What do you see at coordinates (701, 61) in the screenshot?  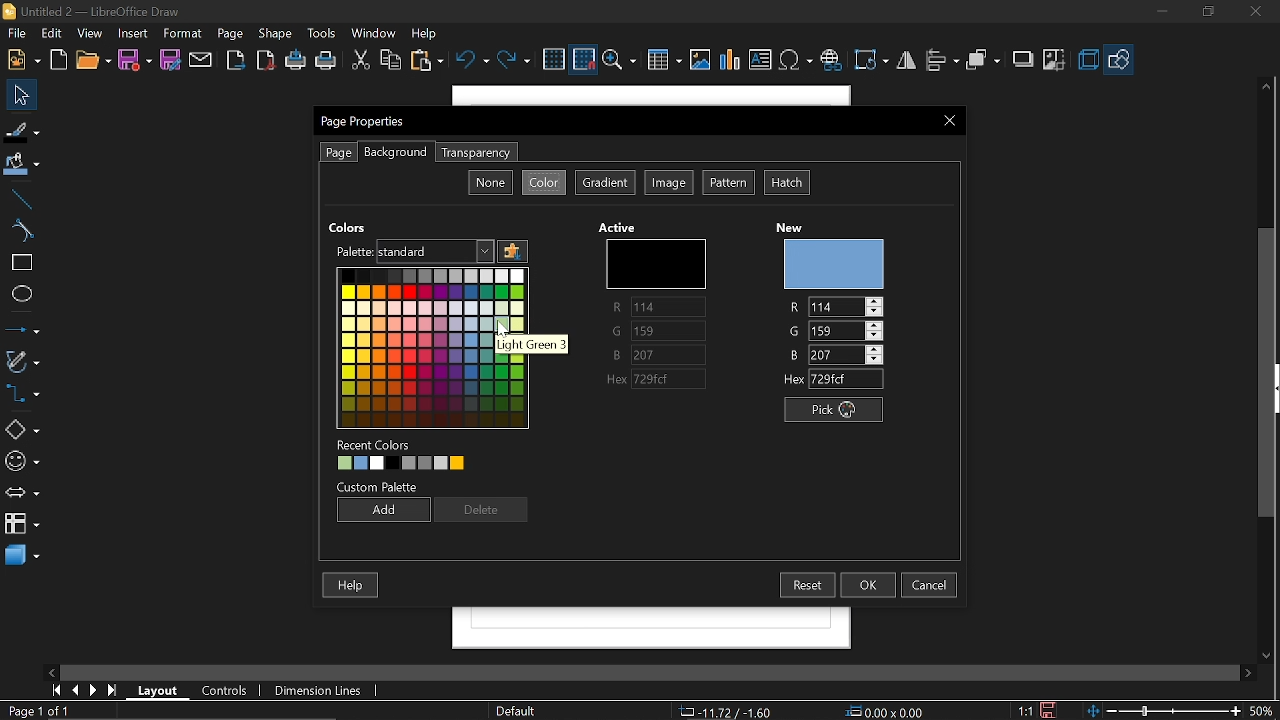 I see `Insert Image` at bounding box center [701, 61].